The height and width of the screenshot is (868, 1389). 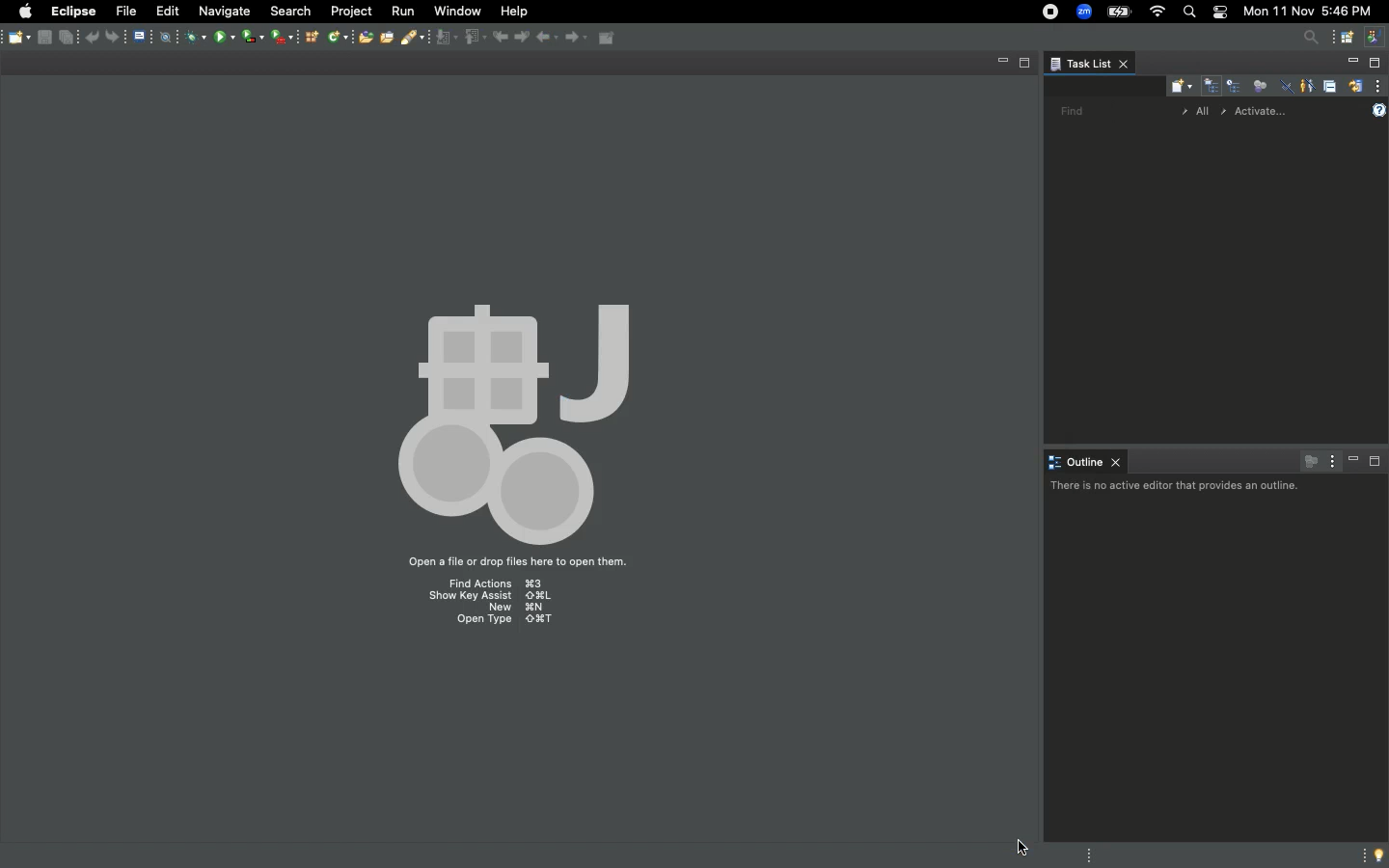 What do you see at coordinates (1379, 86) in the screenshot?
I see `View menu` at bounding box center [1379, 86].